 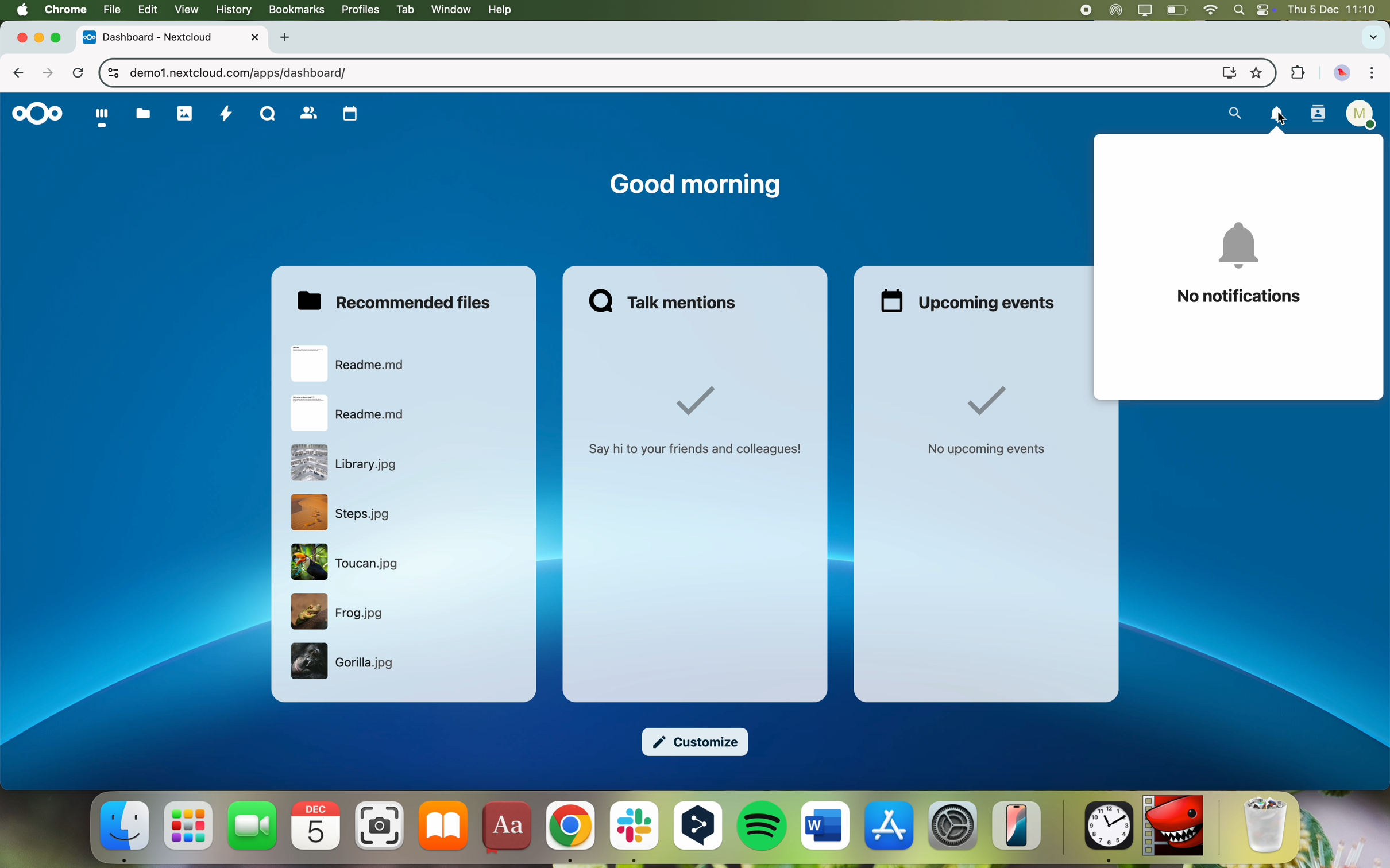 I want to click on view, so click(x=186, y=10).